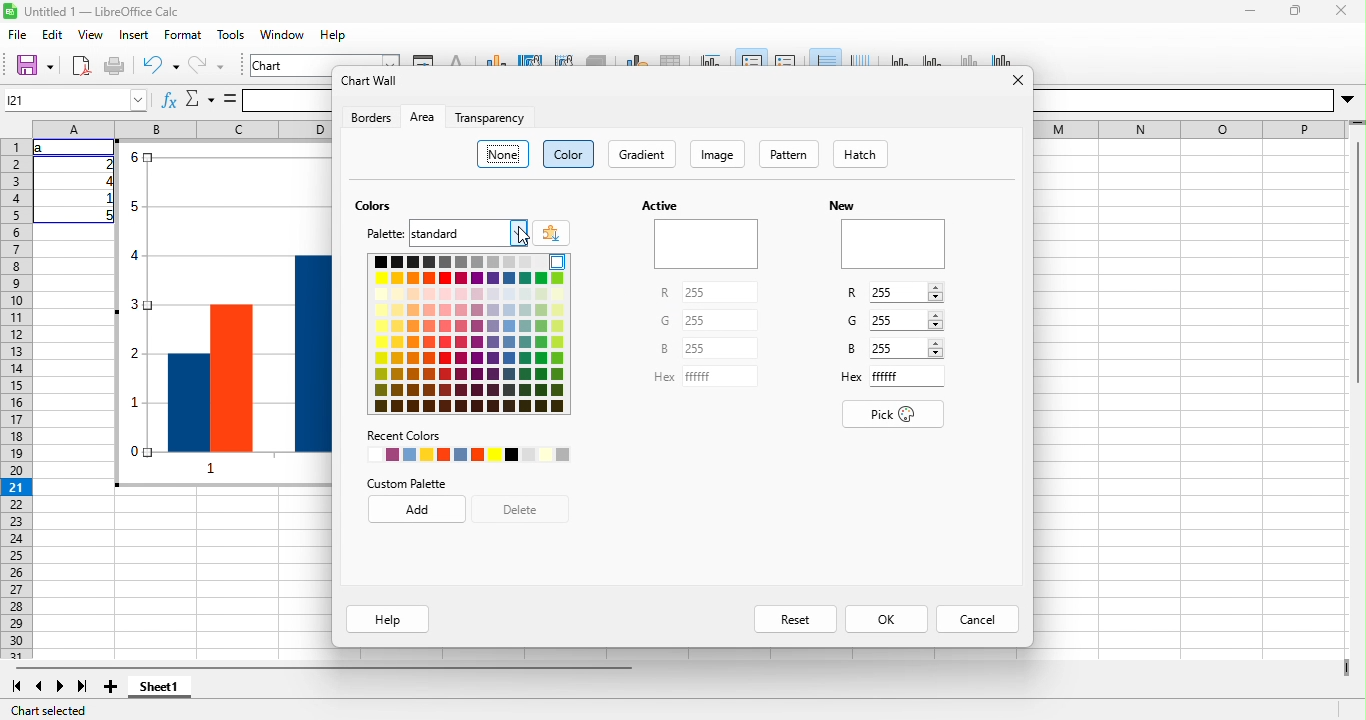 This screenshot has width=1366, height=720. I want to click on a, so click(42, 148).